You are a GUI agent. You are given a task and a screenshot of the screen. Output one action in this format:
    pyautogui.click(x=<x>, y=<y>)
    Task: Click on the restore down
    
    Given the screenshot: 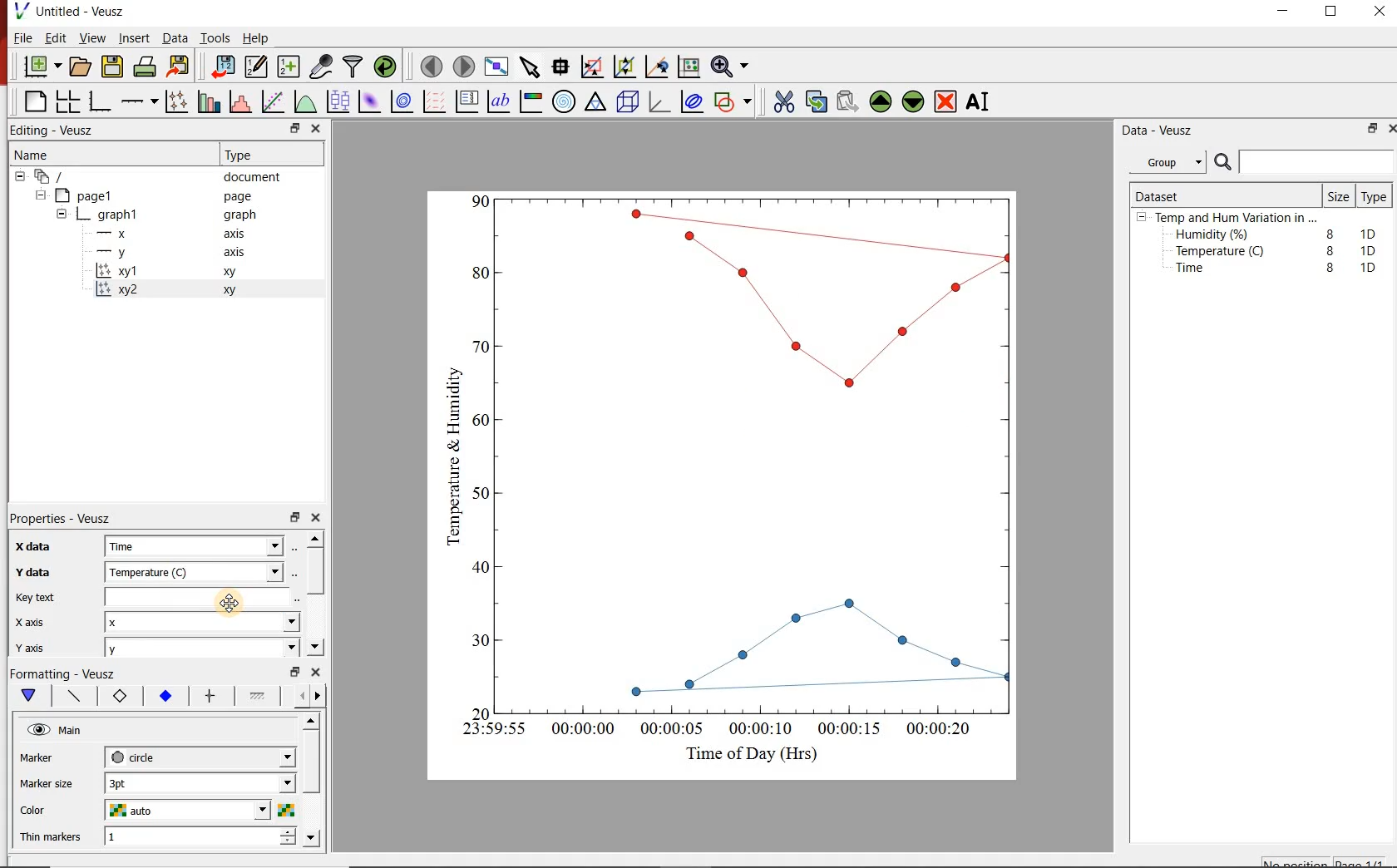 What is the action you would take?
    pyautogui.click(x=292, y=672)
    